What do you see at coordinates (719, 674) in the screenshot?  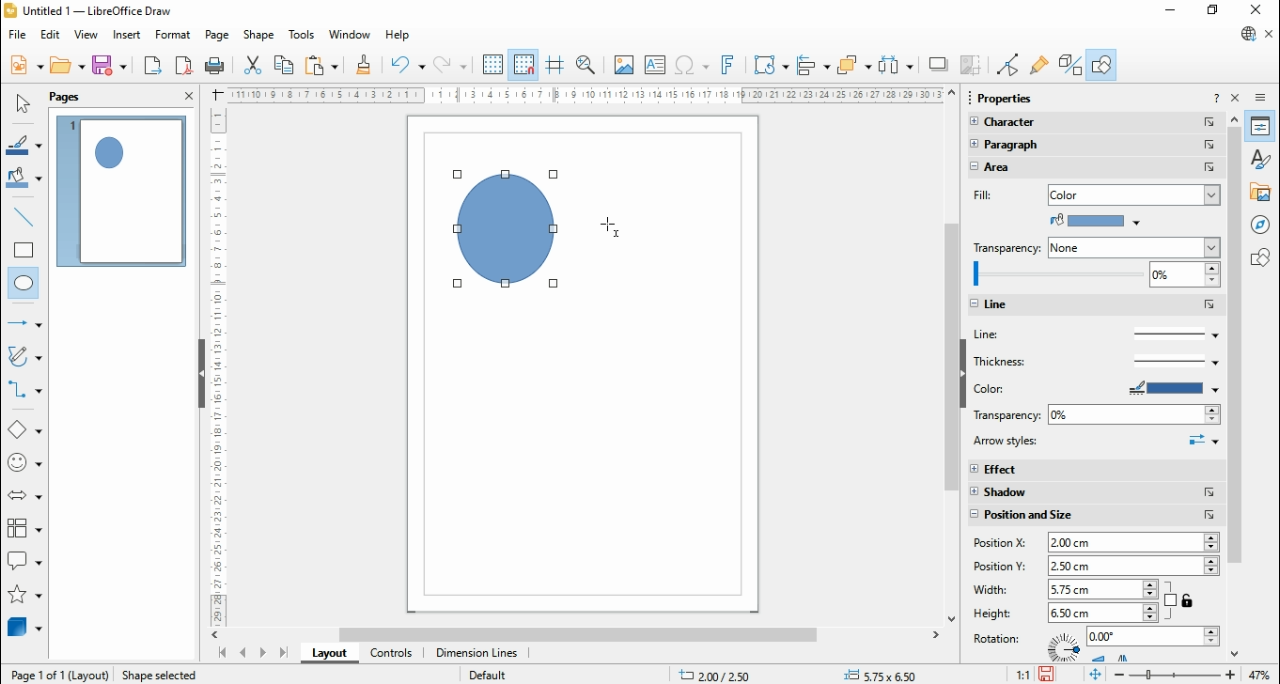 I see ` .11.58/ 13.41` at bounding box center [719, 674].